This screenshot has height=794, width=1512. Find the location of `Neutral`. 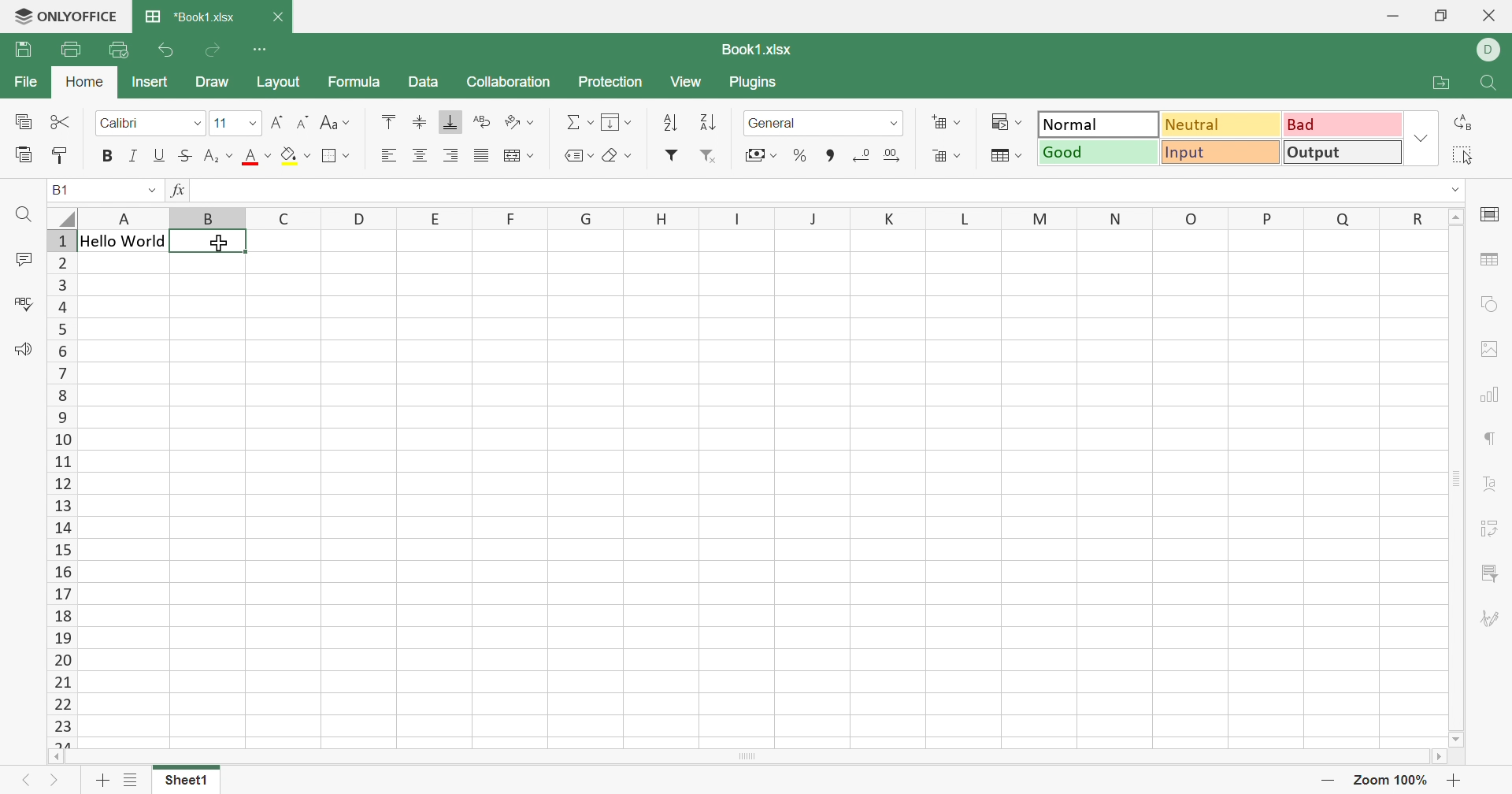

Neutral is located at coordinates (1220, 124).